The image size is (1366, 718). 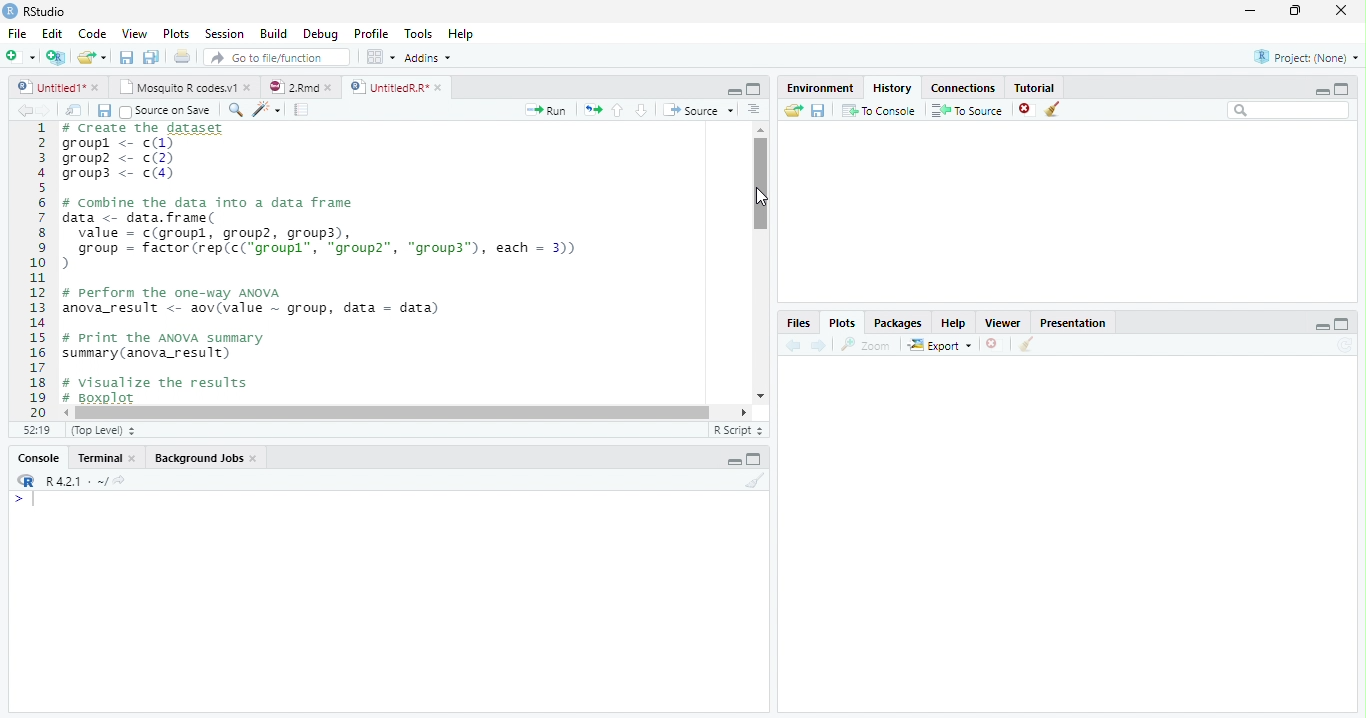 What do you see at coordinates (429, 59) in the screenshot?
I see `Addins` at bounding box center [429, 59].